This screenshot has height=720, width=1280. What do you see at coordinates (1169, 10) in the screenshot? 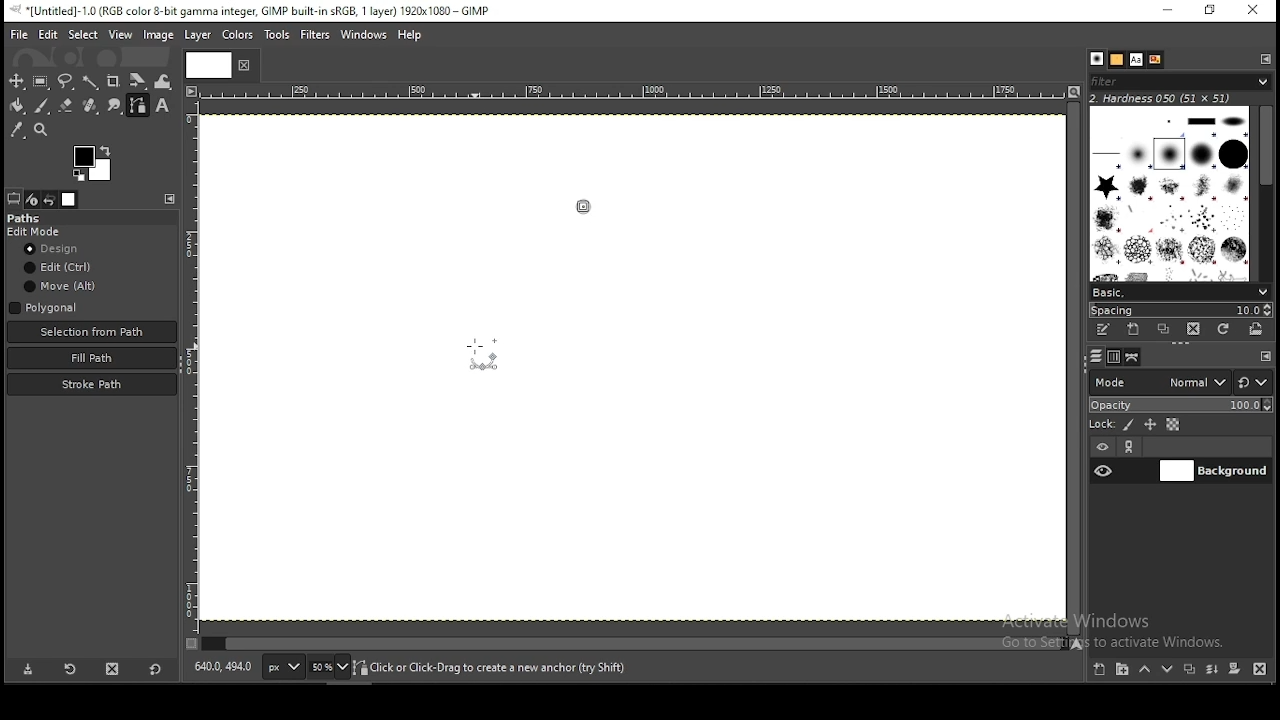
I see `minimize` at bounding box center [1169, 10].